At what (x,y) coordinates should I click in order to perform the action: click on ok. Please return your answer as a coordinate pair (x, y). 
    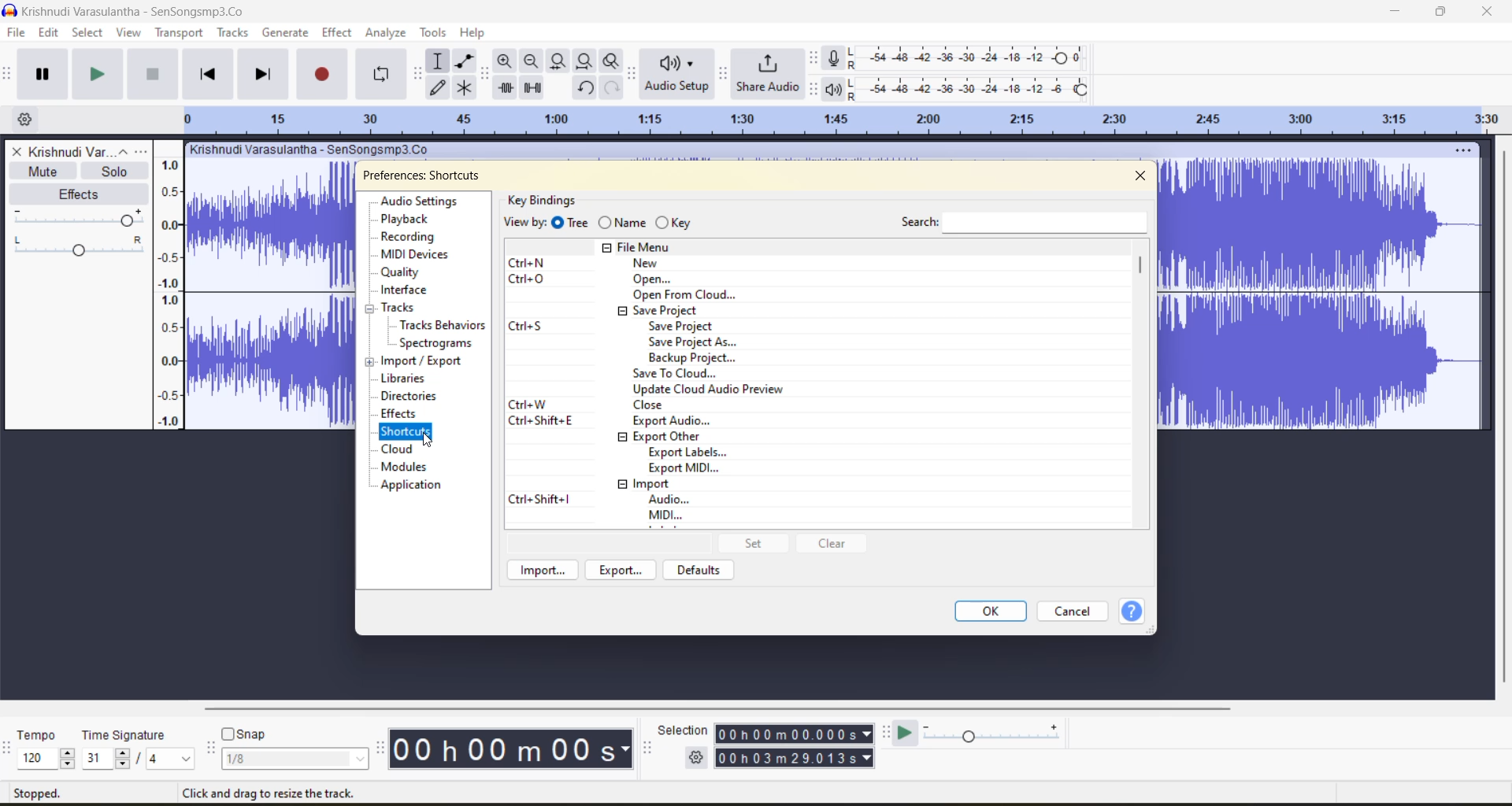
    Looking at the image, I should click on (991, 610).